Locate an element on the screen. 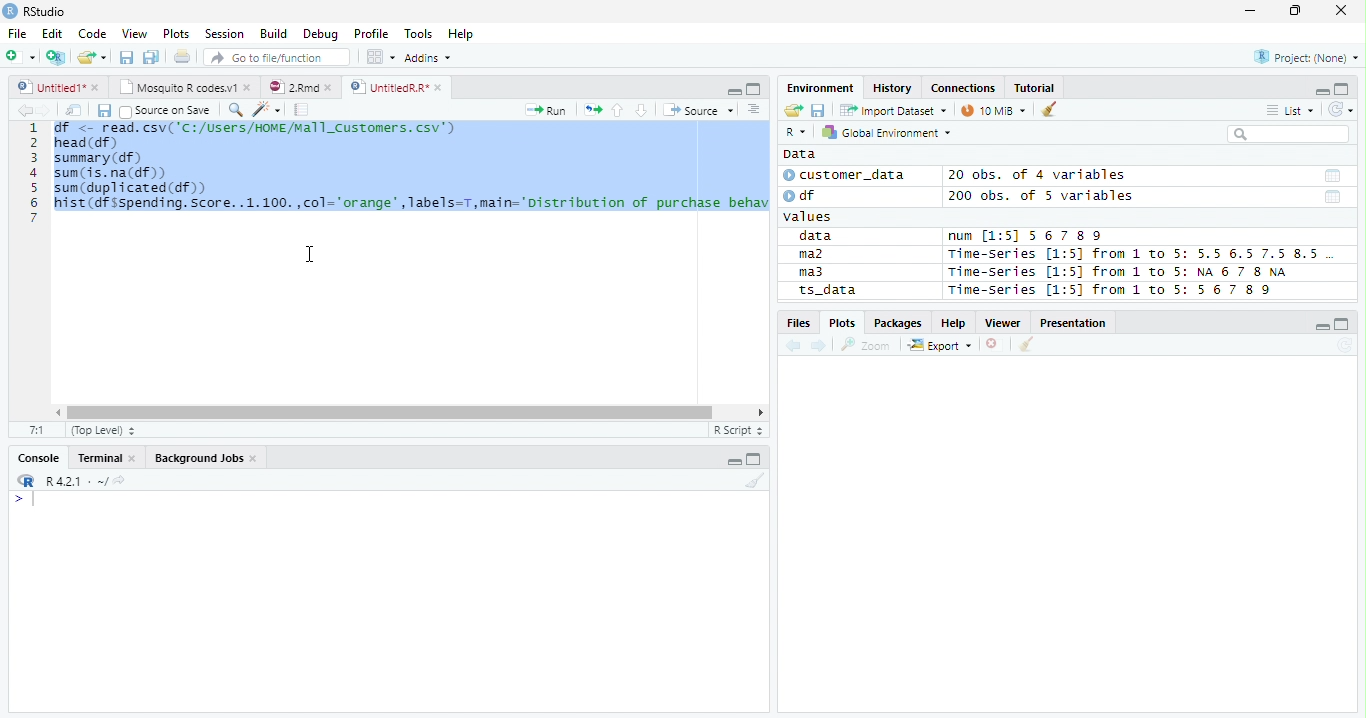  Clean is located at coordinates (1027, 344).